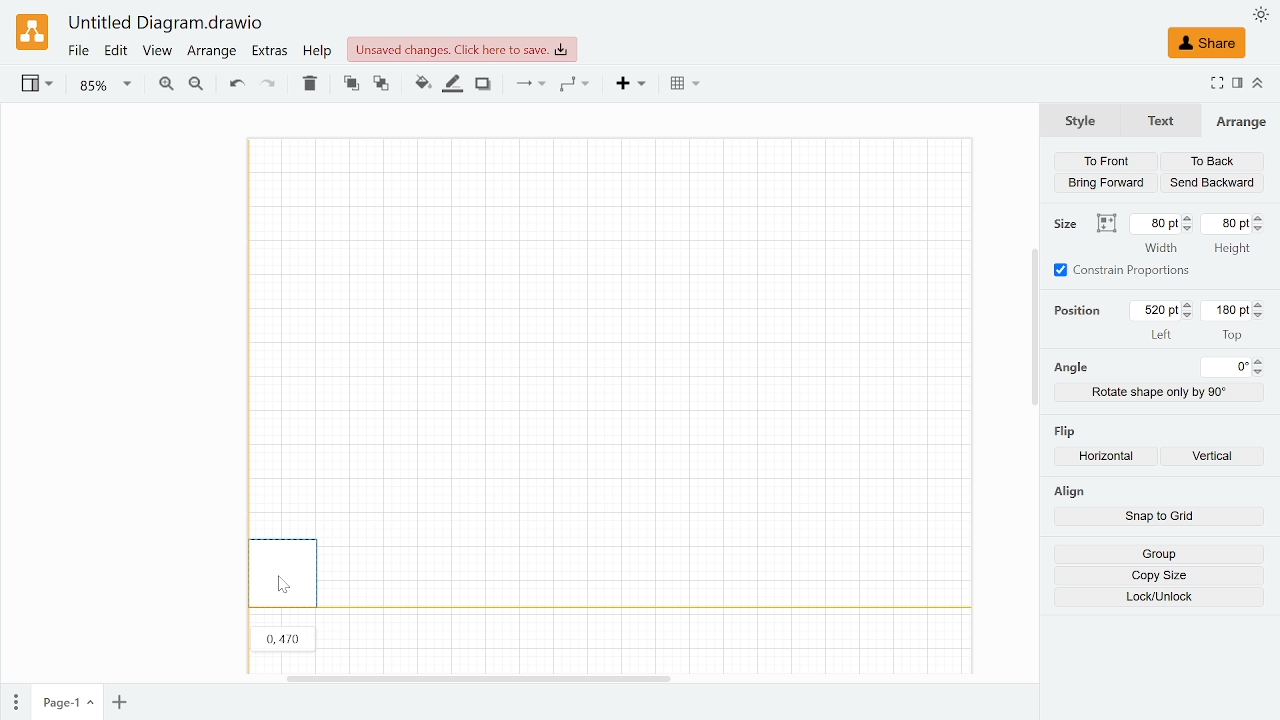  What do you see at coordinates (454, 84) in the screenshot?
I see `Fill line` at bounding box center [454, 84].